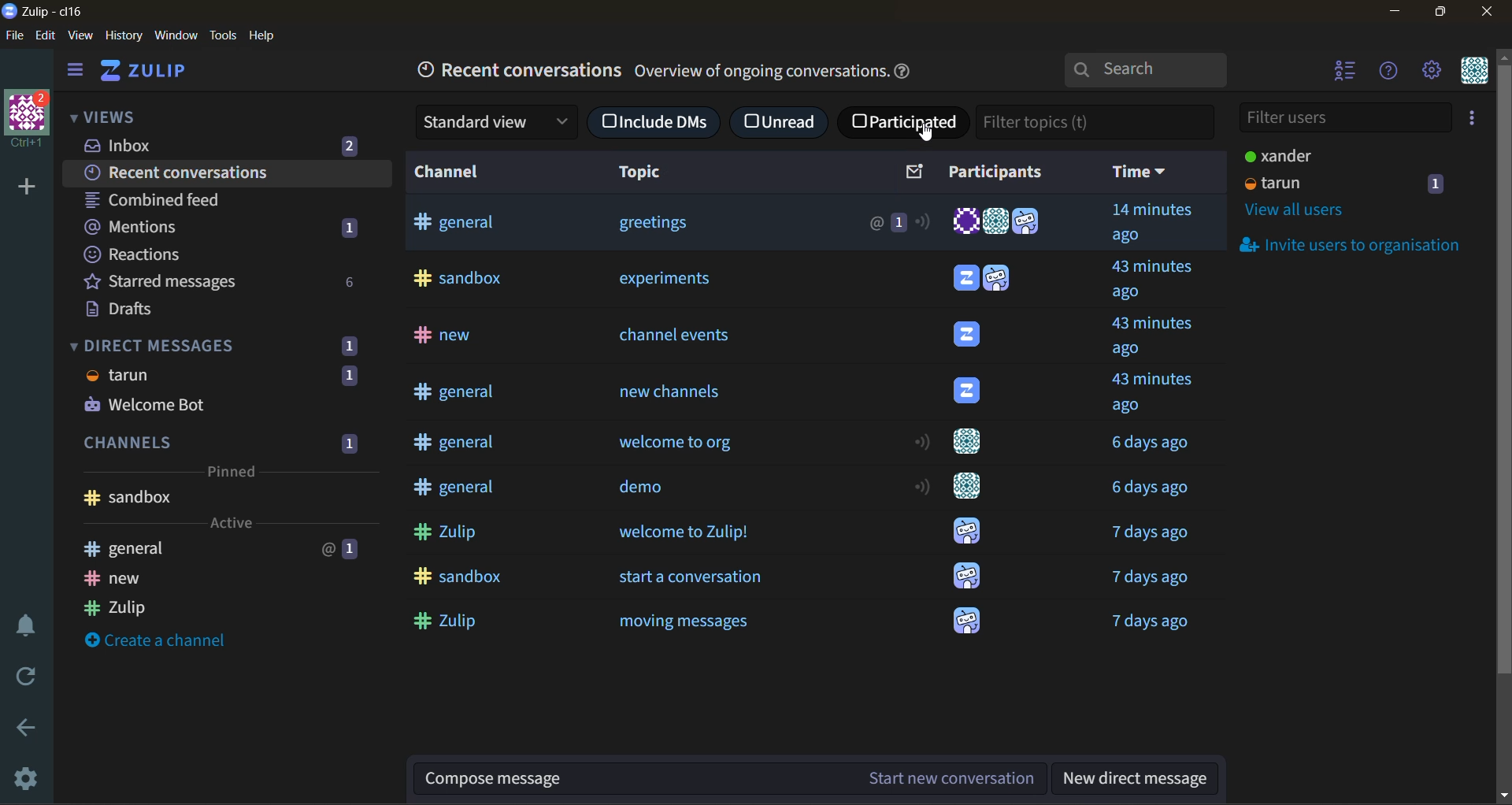 The width and height of the screenshot is (1512, 805). I want to click on edit, so click(47, 35).